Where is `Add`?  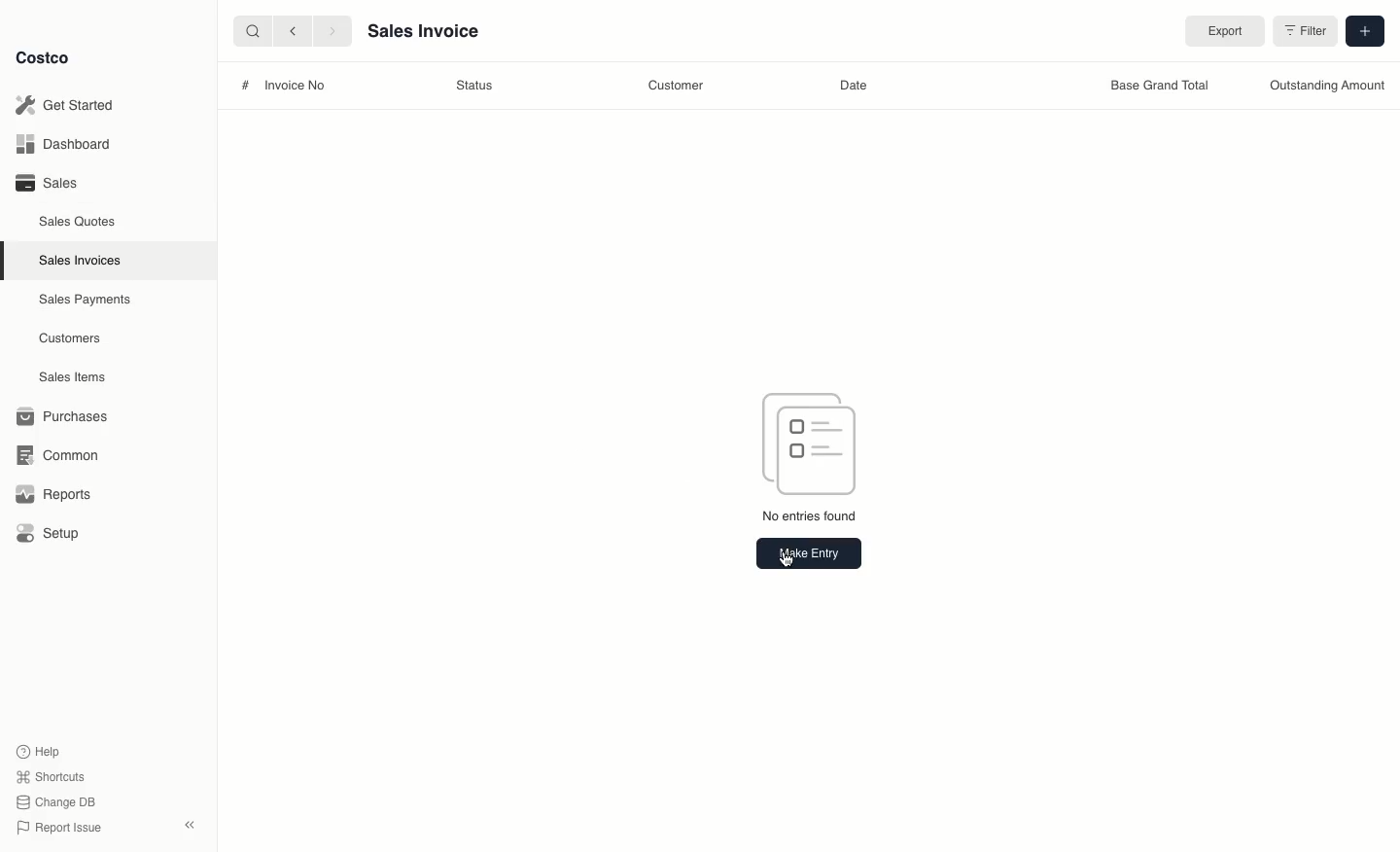
Add is located at coordinates (1367, 29).